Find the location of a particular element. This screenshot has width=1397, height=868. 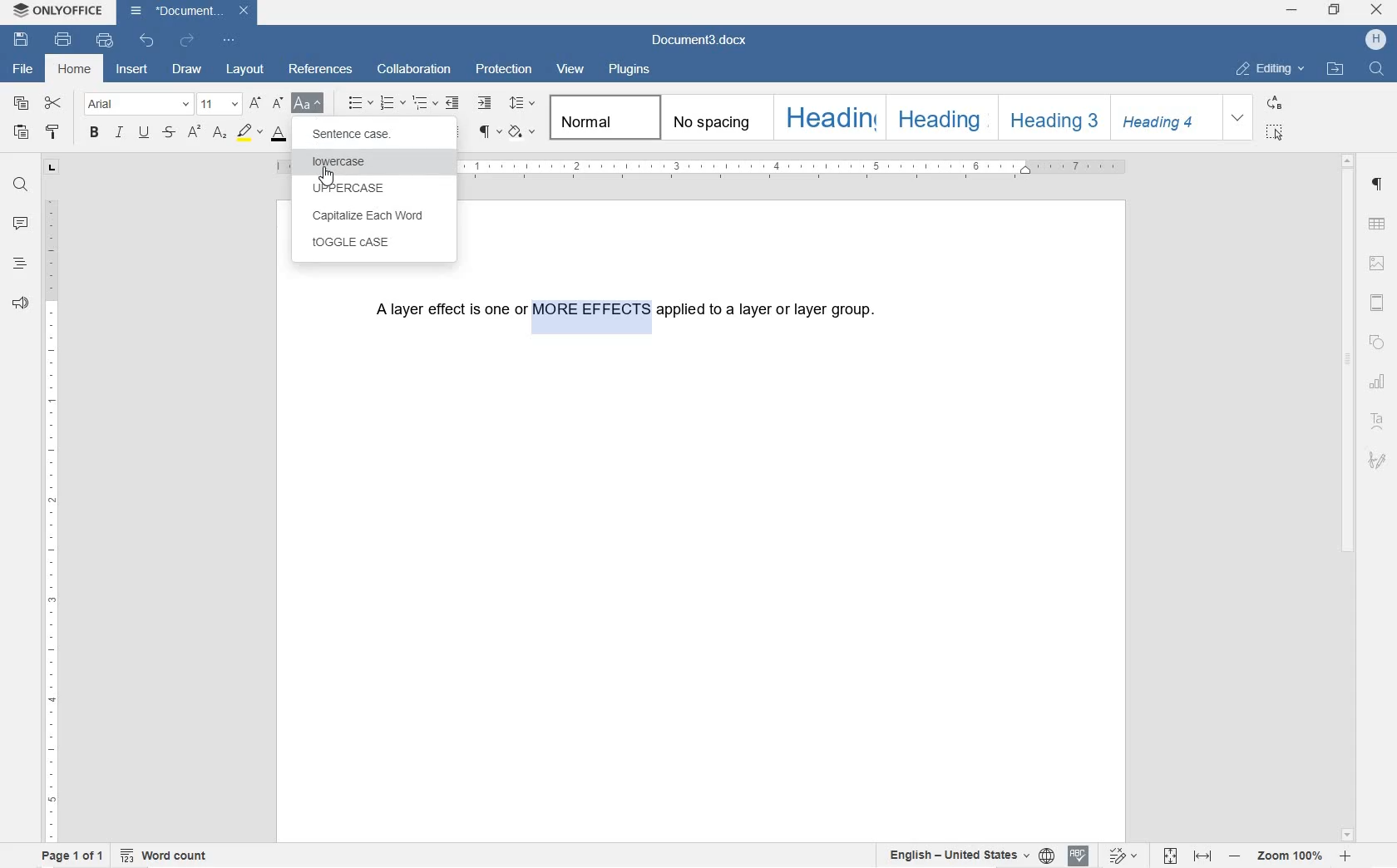

HP is located at coordinates (1378, 40).